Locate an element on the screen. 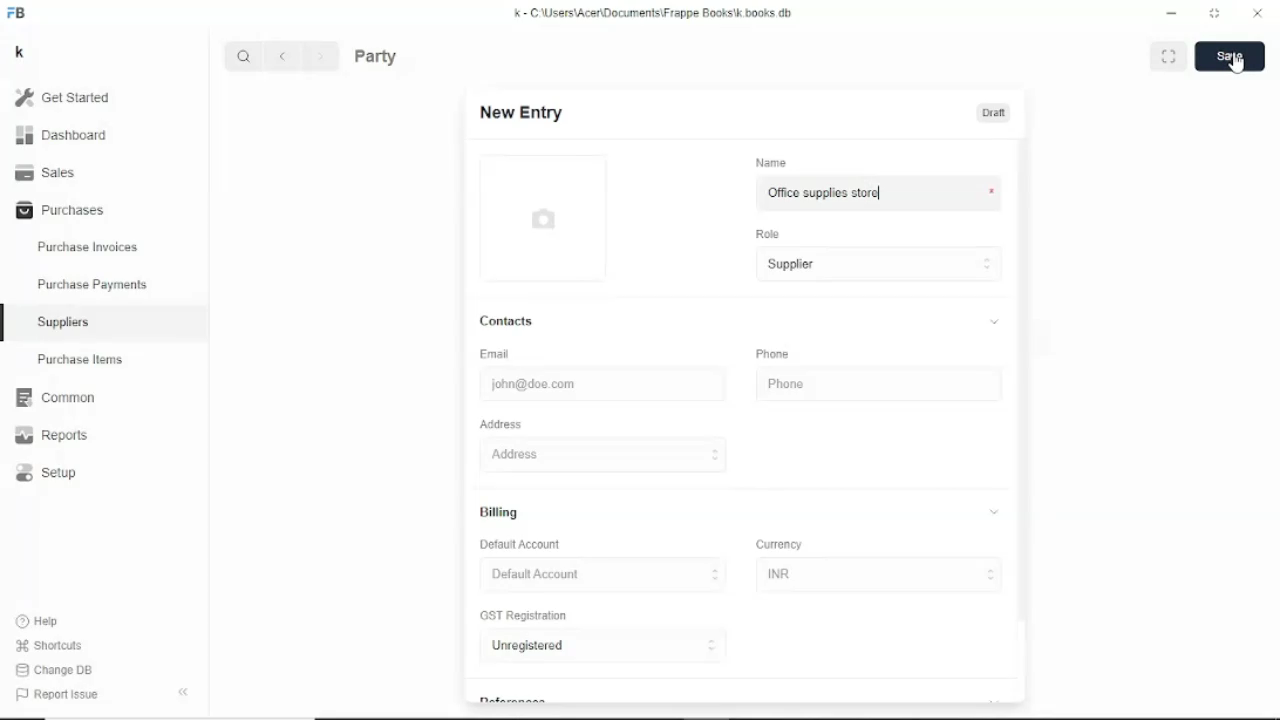 This screenshot has width=1280, height=720. Setup is located at coordinates (46, 473).